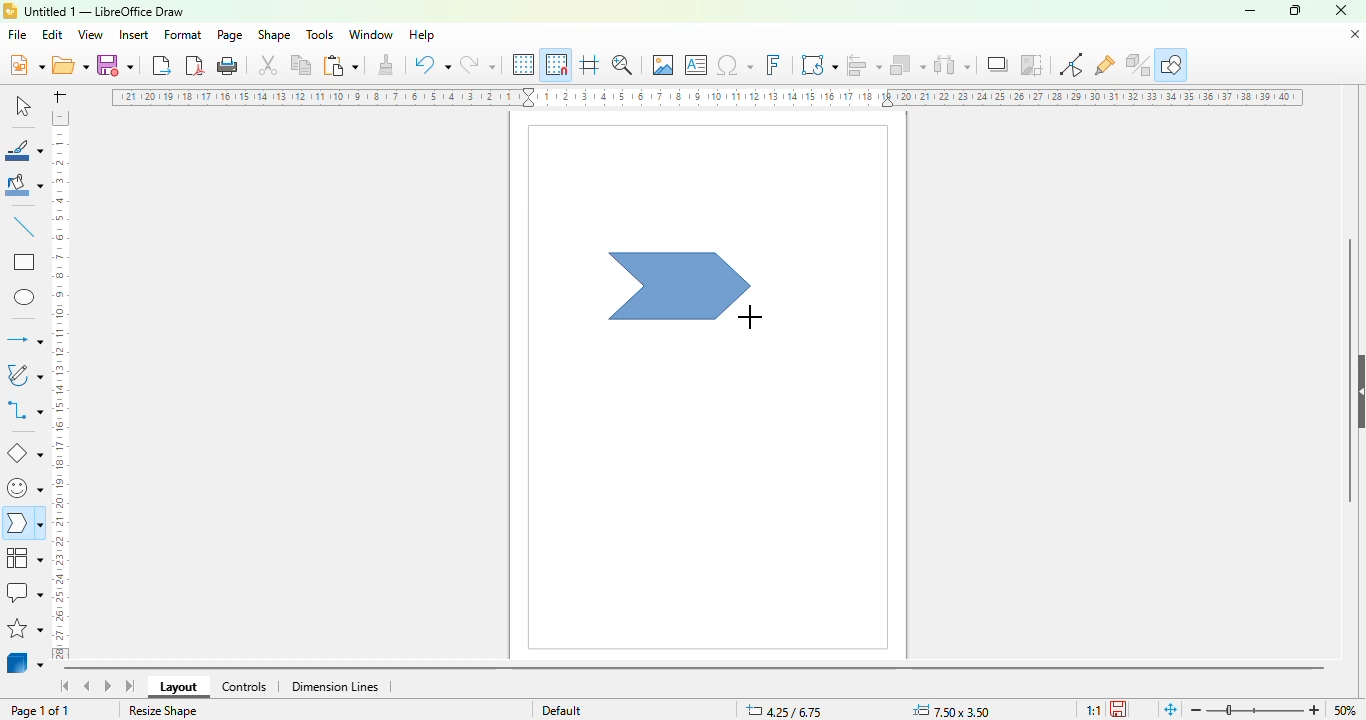 The image size is (1366, 720). Describe the element at coordinates (163, 65) in the screenshot. I see `export` at that location.